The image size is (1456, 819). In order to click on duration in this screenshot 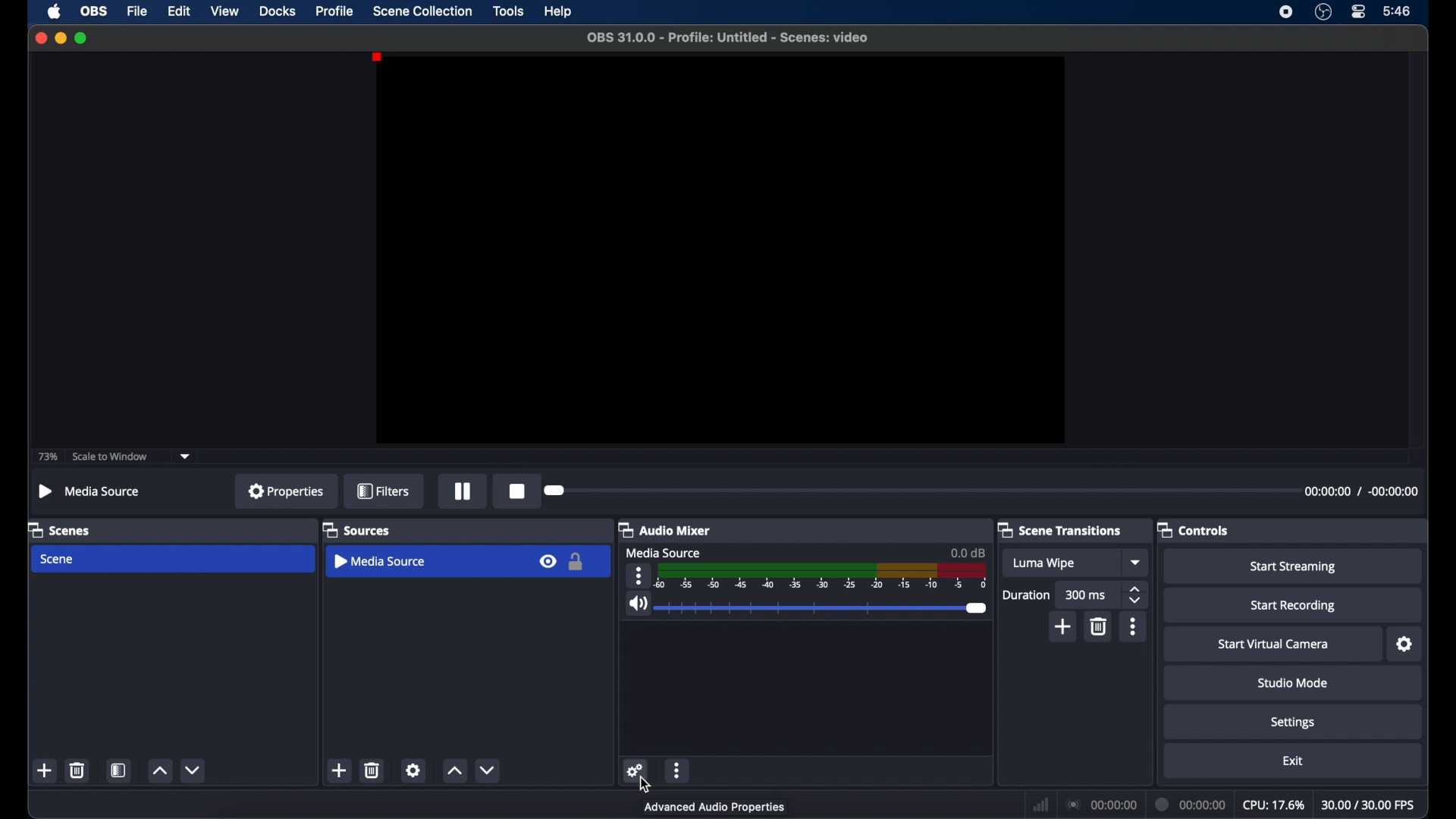, I will do `click(1188, 804)`.